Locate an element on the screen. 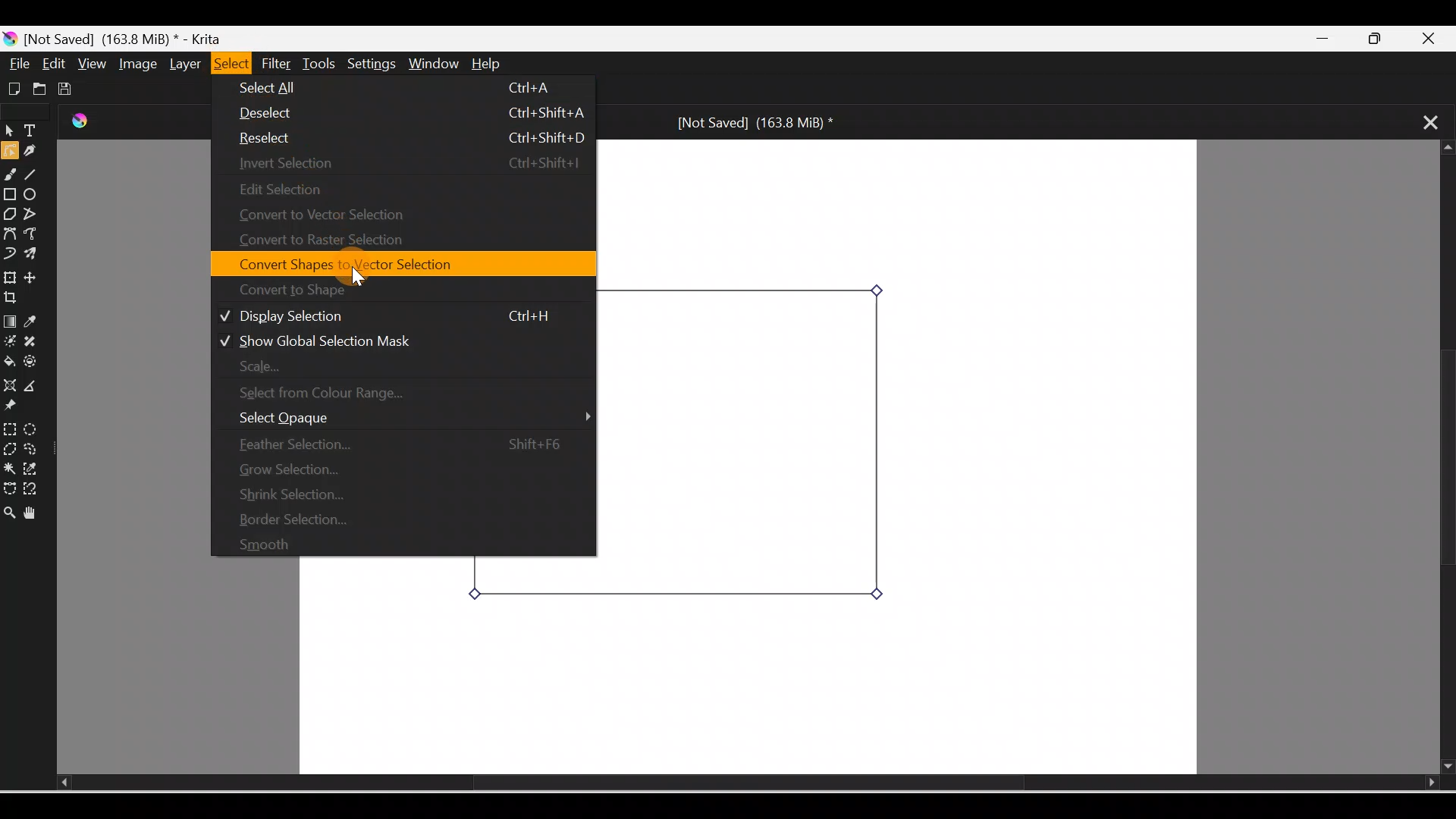  Convert to Vector selection is located at coordinates (329, 215).